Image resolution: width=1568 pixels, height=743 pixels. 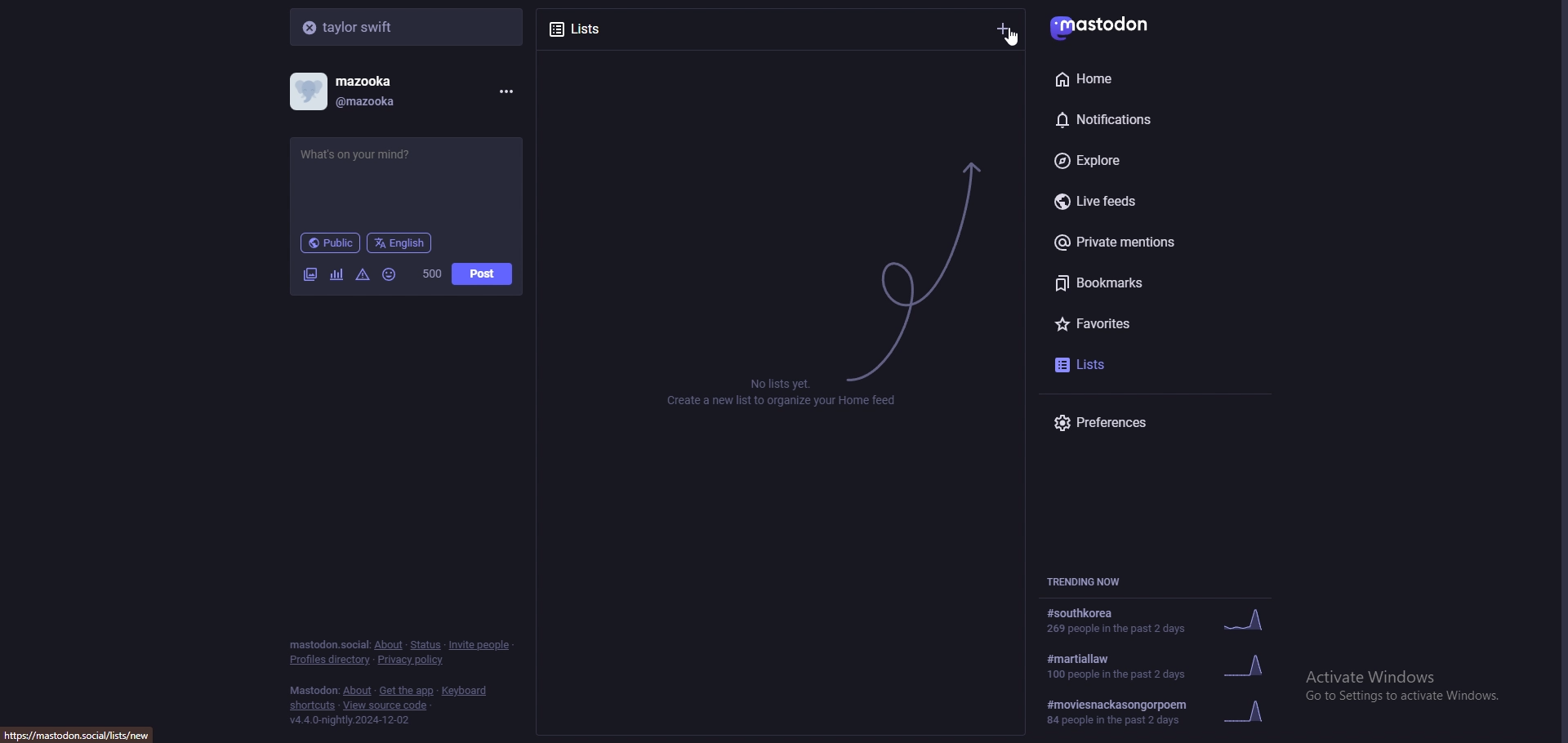 What do you see at coordinates (1138, 117) in the screenshot?
I see `notifications` at bounding box center [1138, 117].